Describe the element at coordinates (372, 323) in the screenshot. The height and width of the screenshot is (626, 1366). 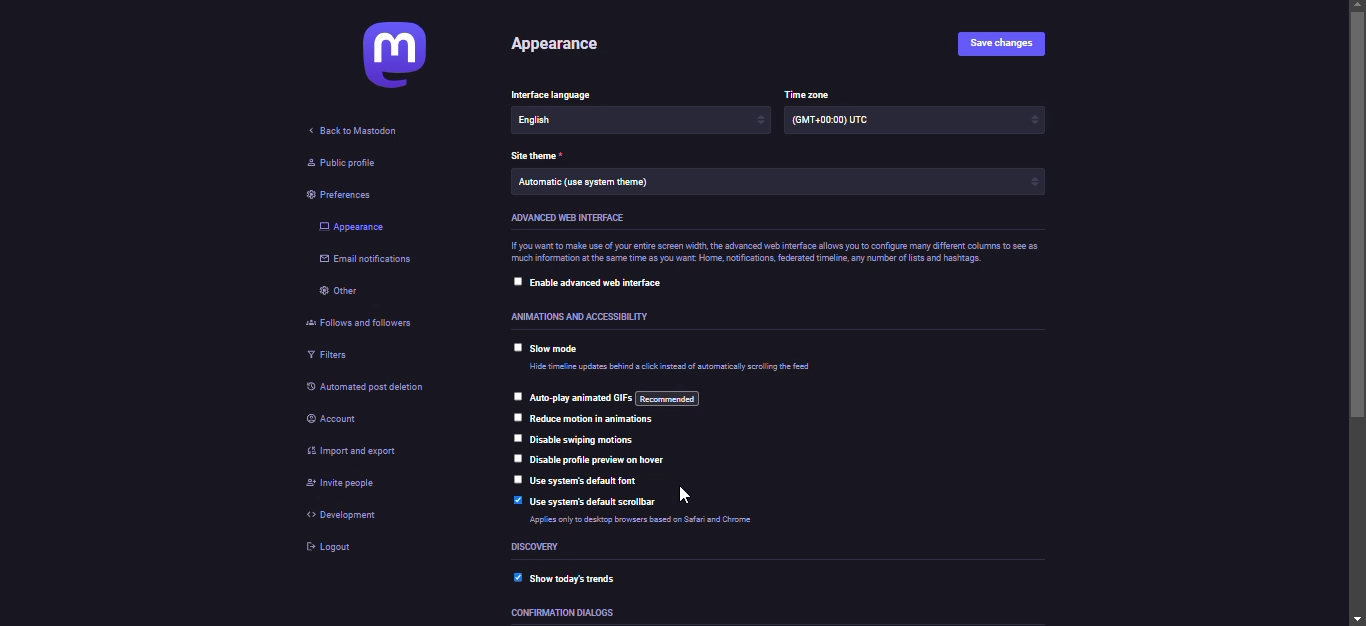
I see `follows and followers` at that location.